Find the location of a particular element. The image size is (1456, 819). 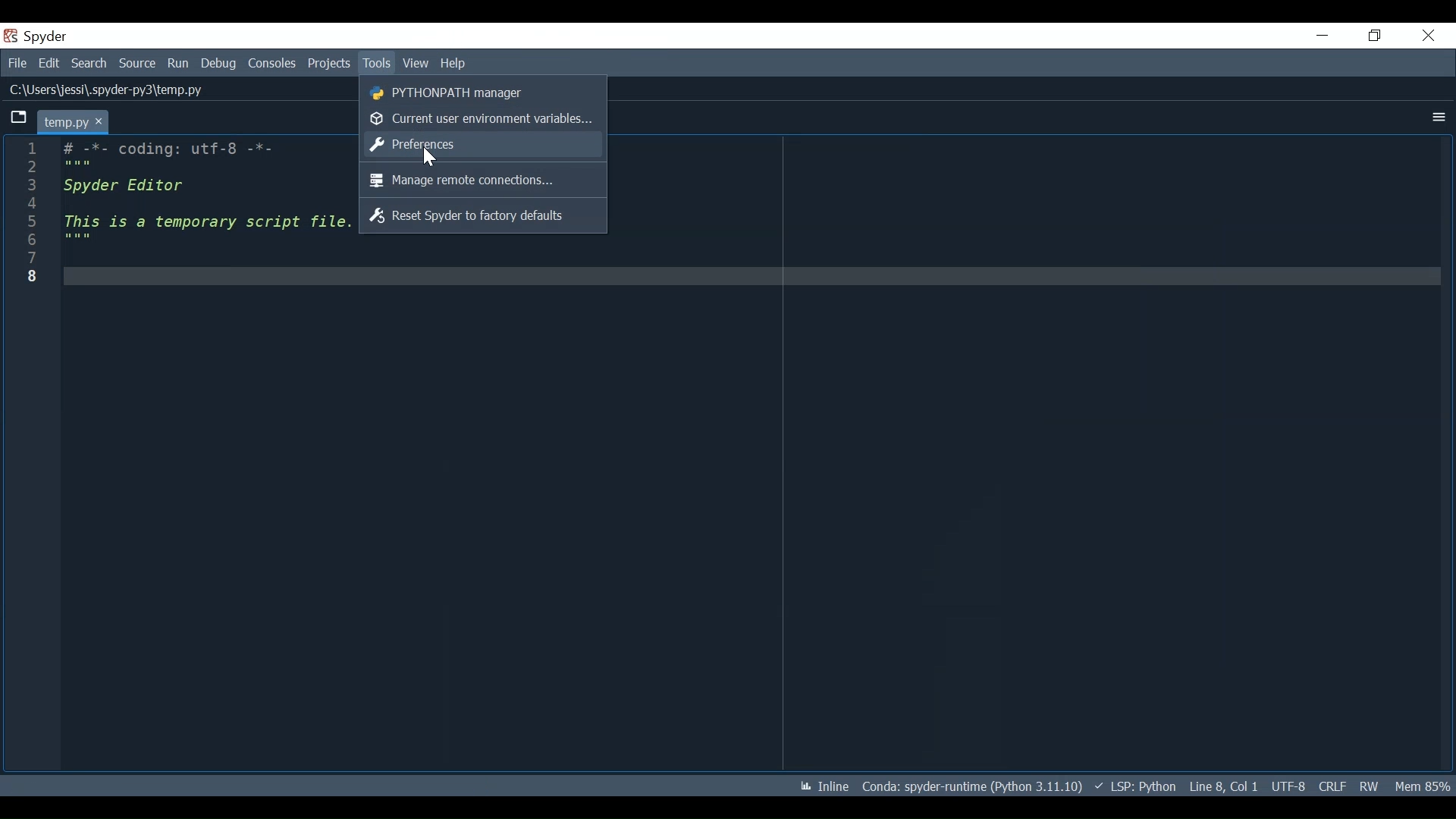

Help is located at coordinates (452, 64).